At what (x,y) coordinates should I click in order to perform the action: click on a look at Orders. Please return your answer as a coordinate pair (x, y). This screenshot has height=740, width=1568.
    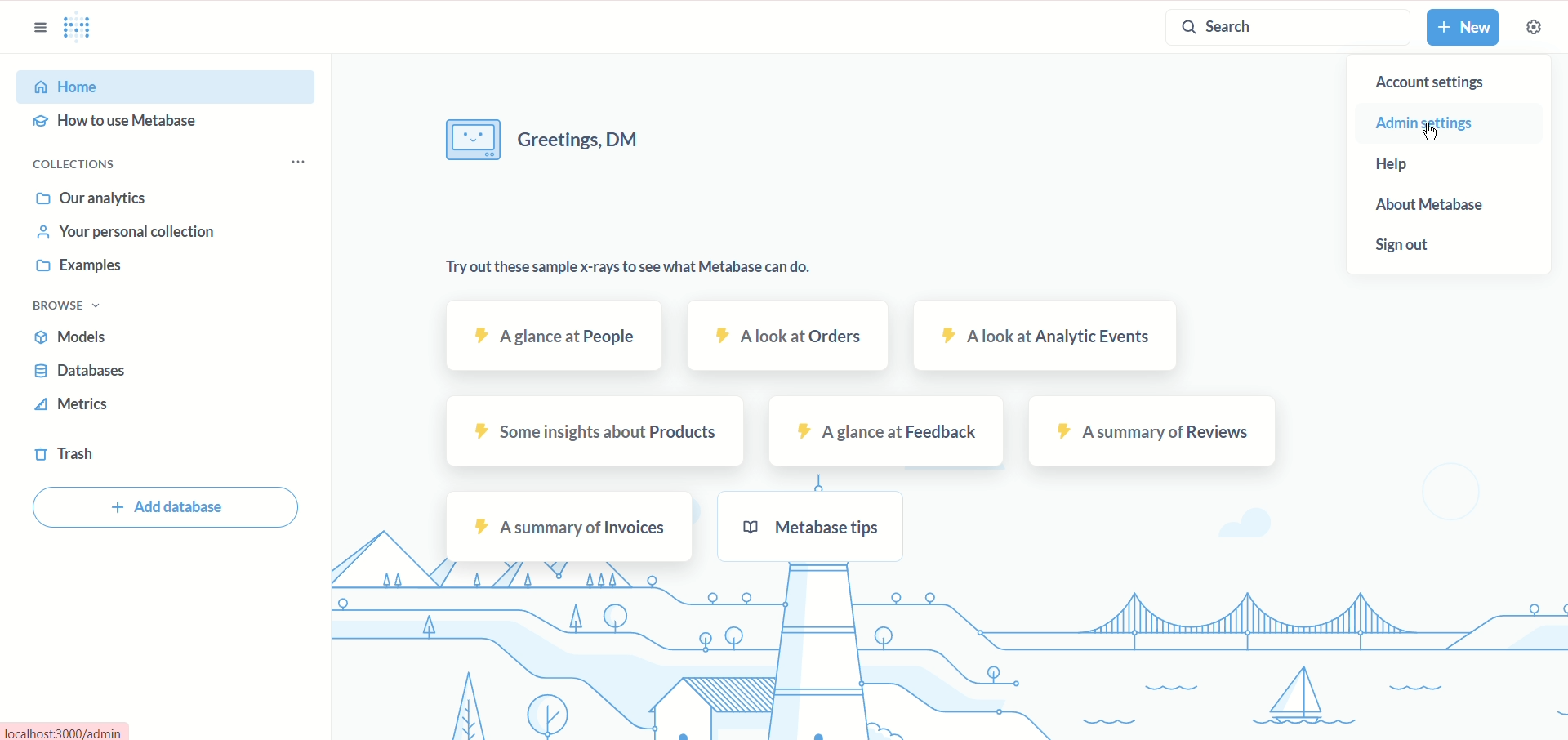
    Looking at the image, I should click on (788, 336).